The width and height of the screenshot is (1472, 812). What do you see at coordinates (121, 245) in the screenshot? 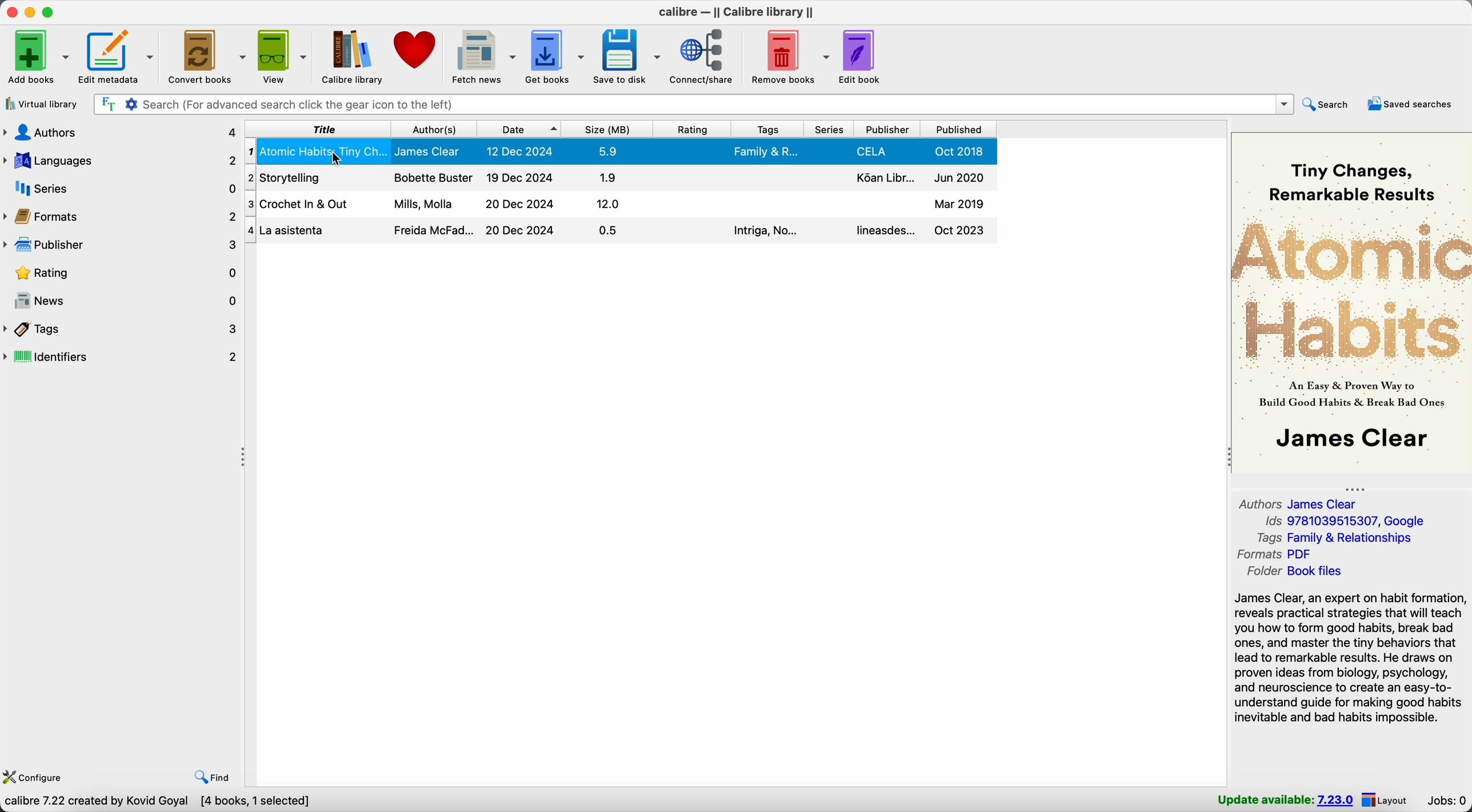
I see `publisher` at bounding box center [121, 245].